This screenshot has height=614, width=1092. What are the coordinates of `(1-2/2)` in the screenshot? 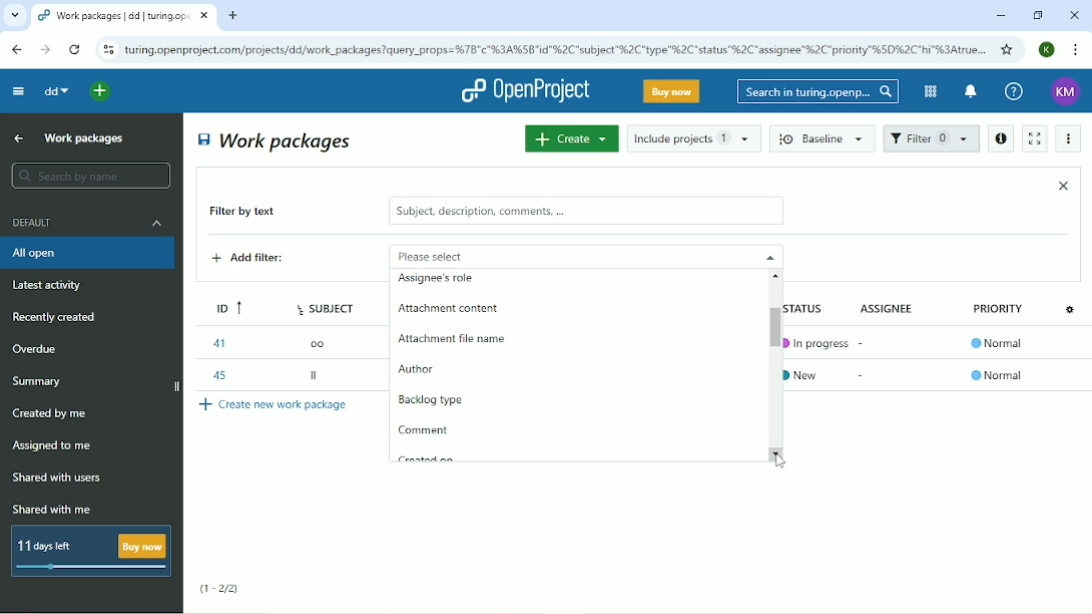 It's located at (220, 589).